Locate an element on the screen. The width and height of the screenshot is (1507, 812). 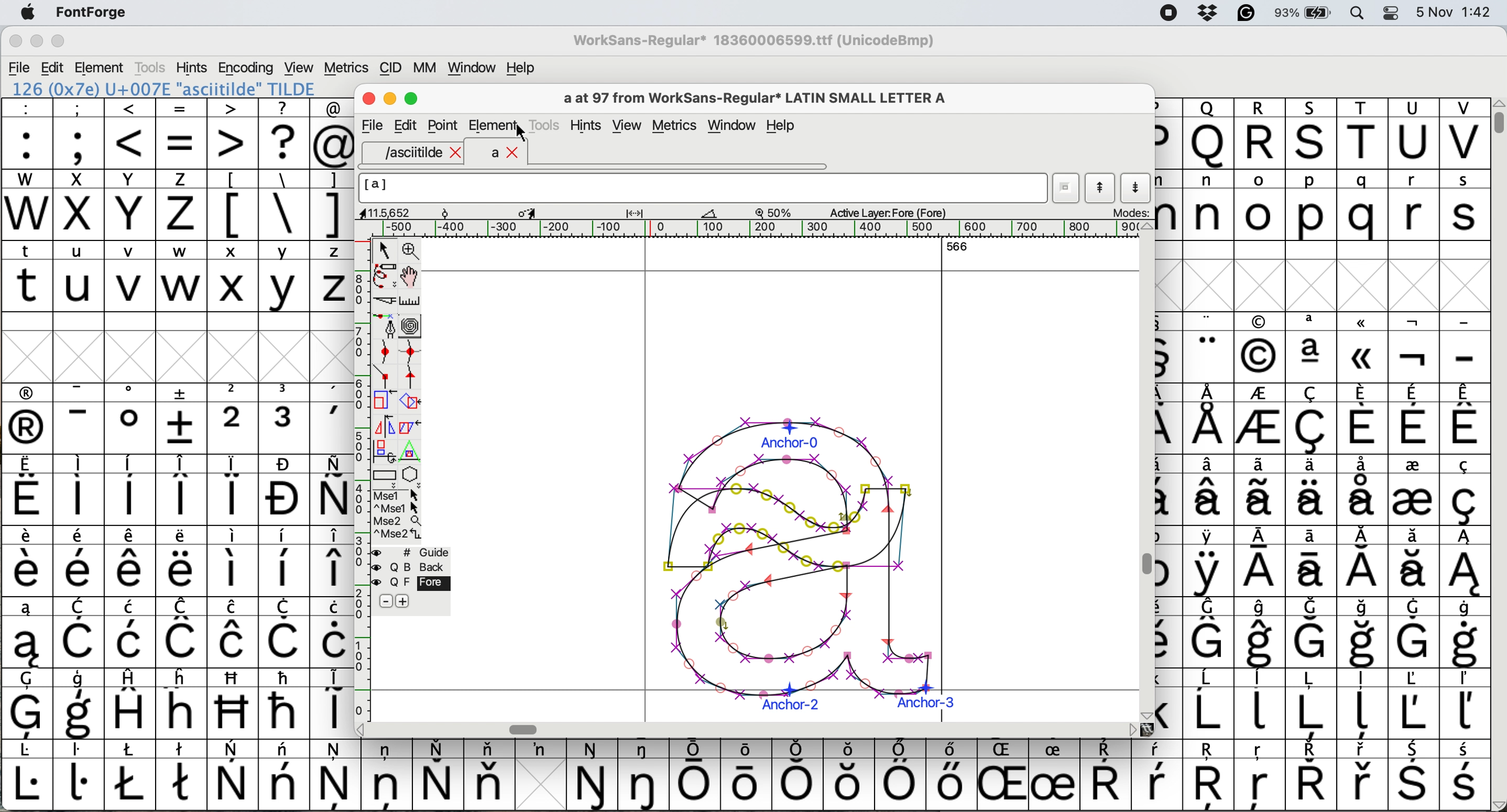
u is located at coordinates (80, 276).